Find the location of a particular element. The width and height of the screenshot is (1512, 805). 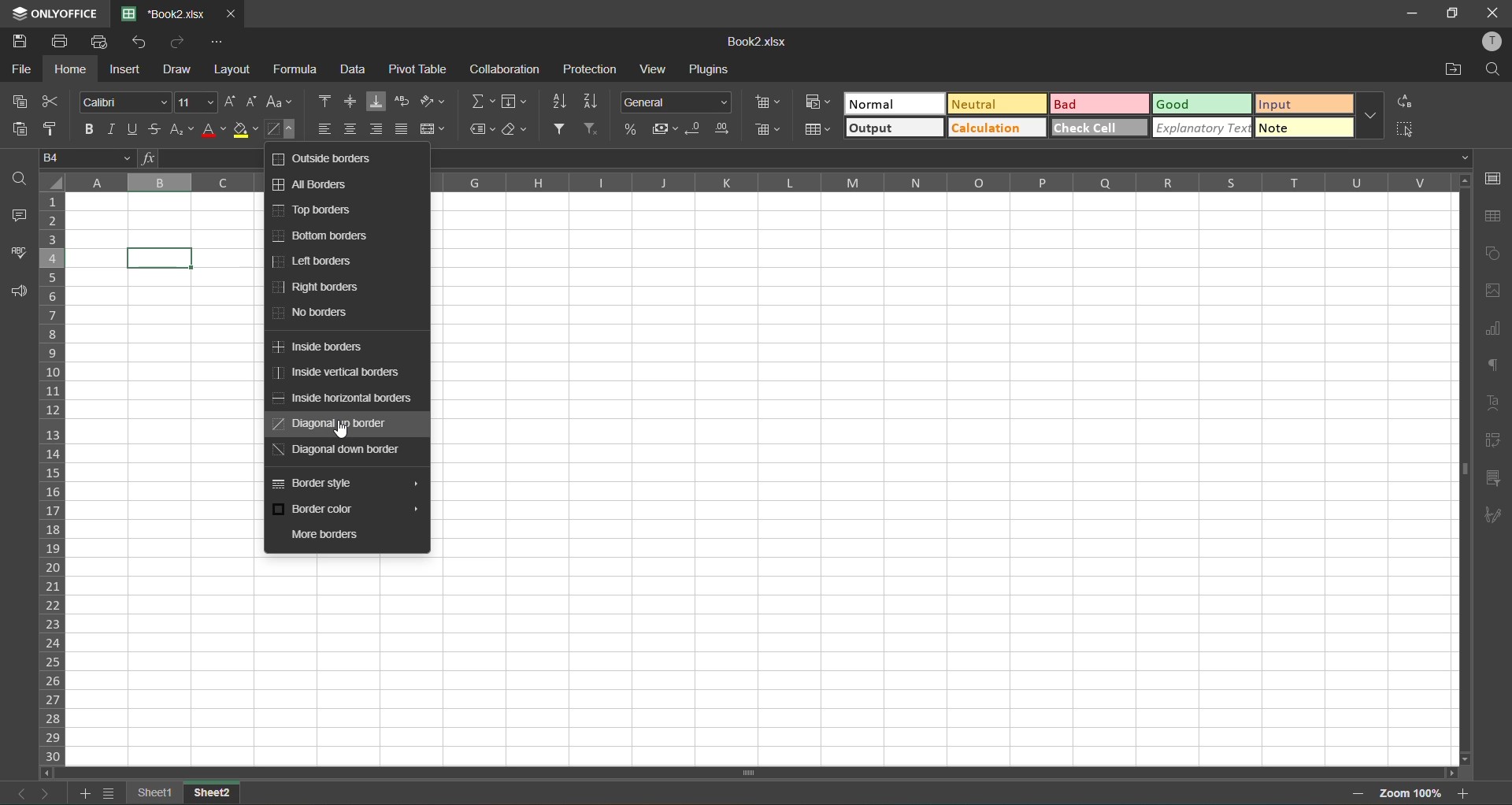

view is located at coordinates (651, 69).